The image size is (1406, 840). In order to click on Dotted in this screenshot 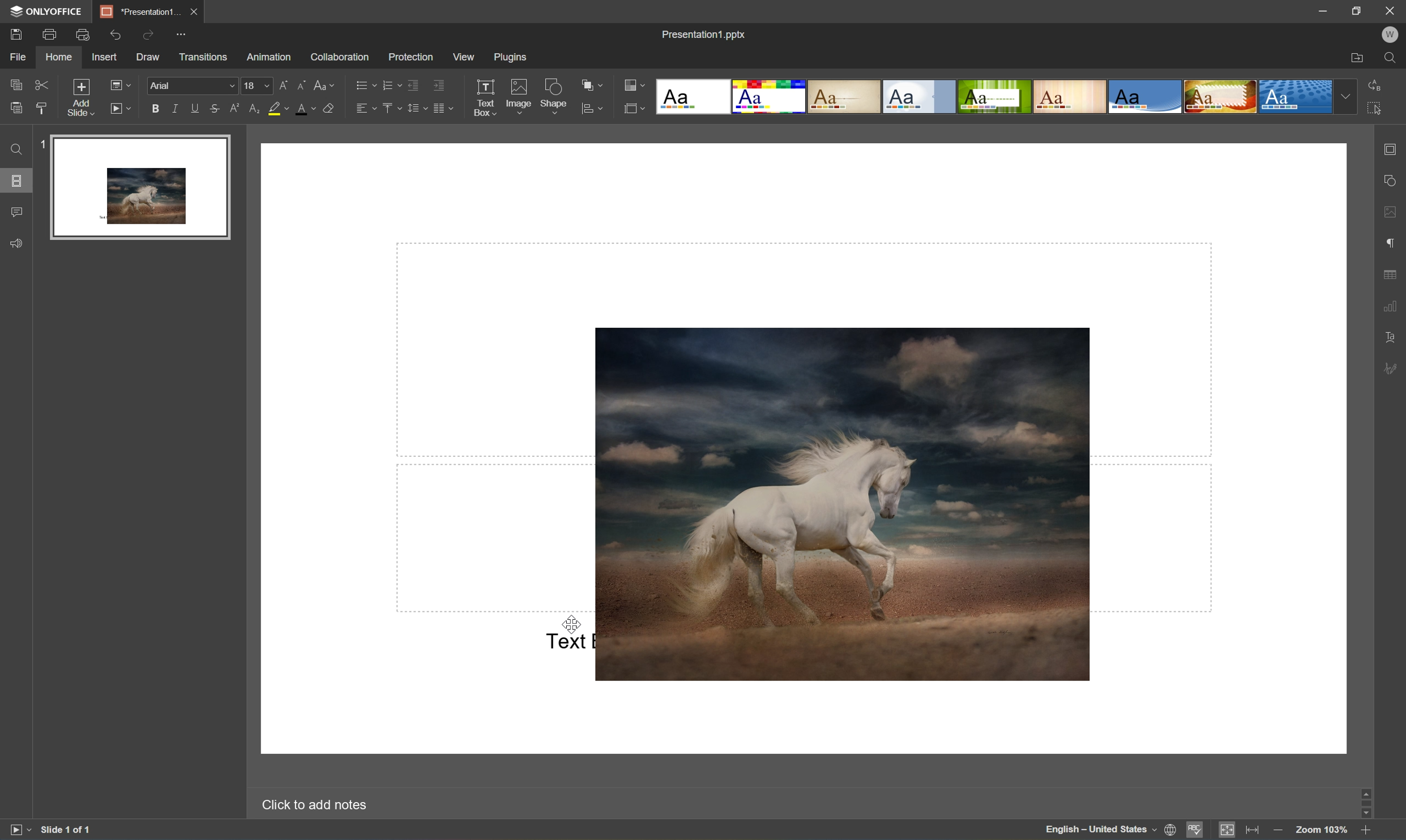, I will do `click(1295, 98)`.